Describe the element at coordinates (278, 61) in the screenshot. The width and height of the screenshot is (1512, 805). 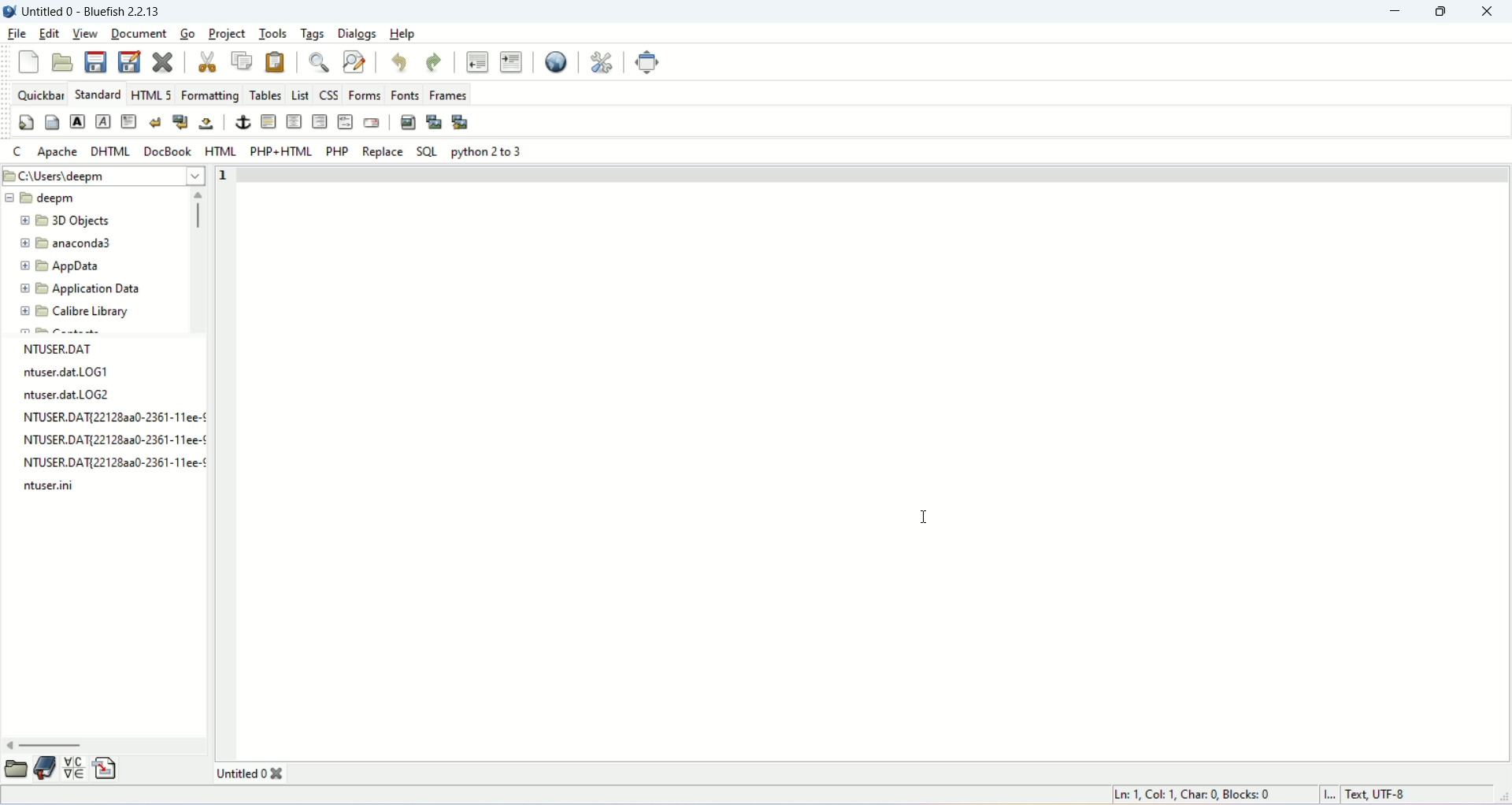
I see `paste` at that location.